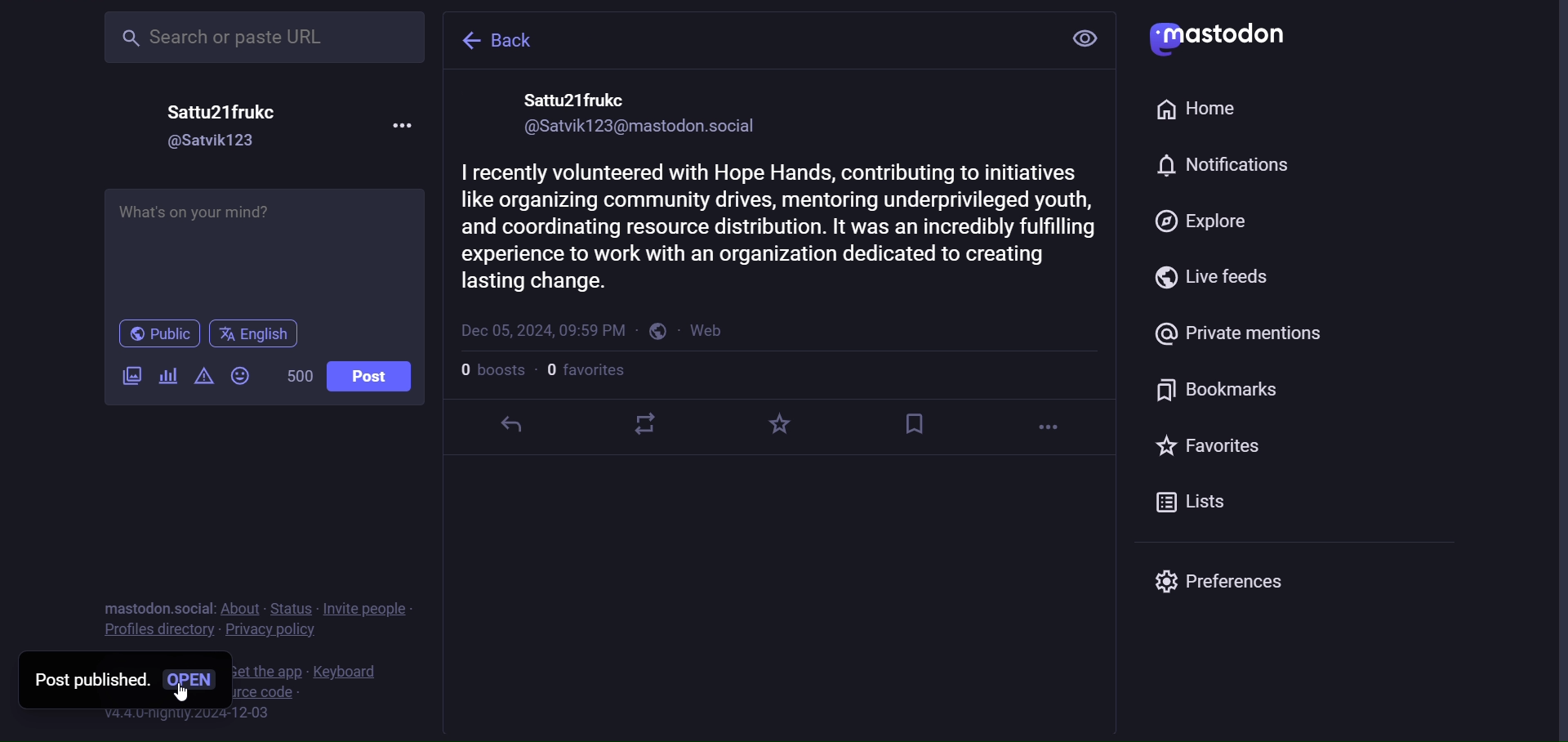 The width and height of the screenshot is (1568, 742). Describe the element at coordinates (274, 633) in the screenshot. I see `Privacy policy` at that location.